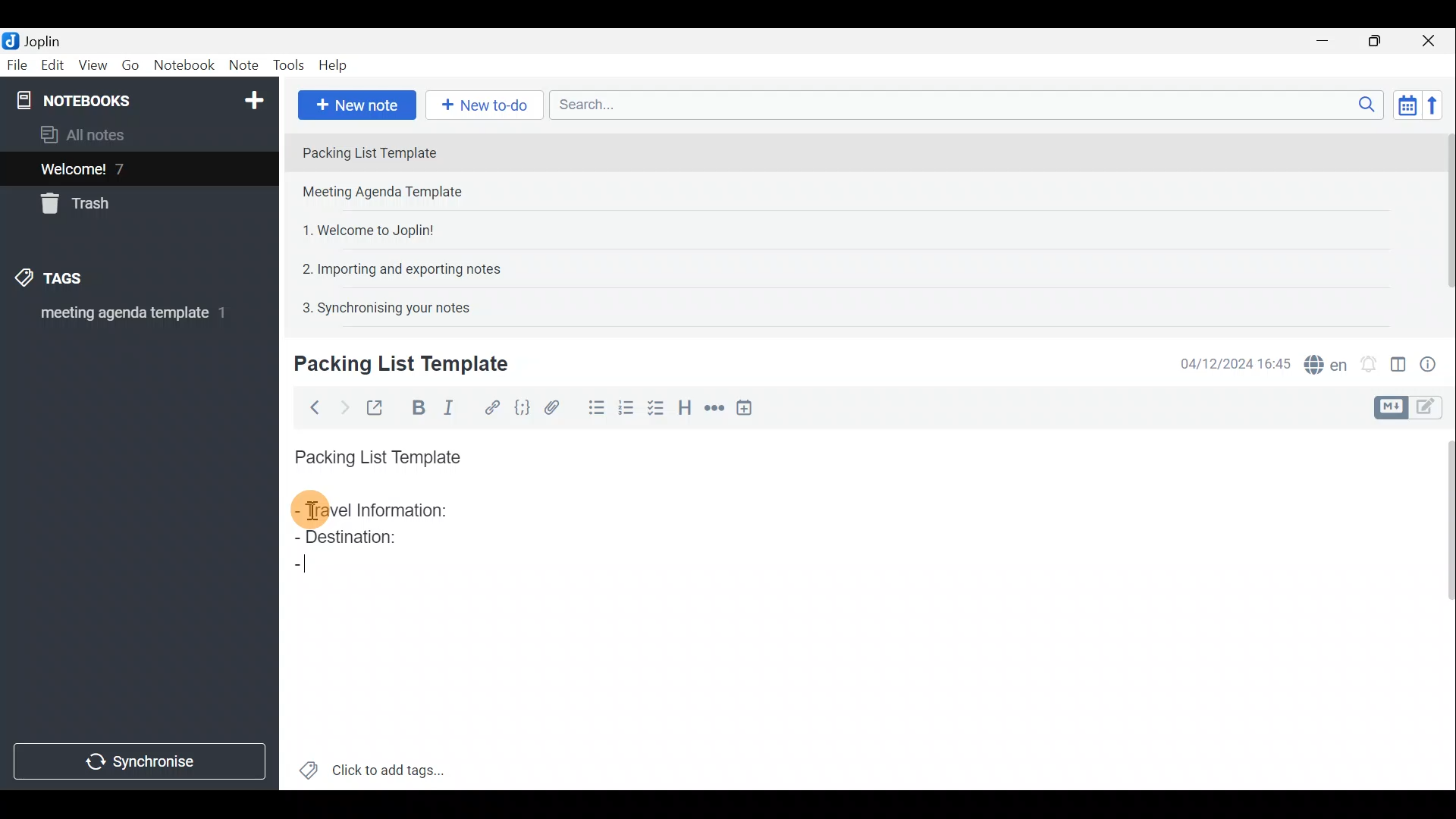  What do you see at coordinates (1442, 221) in the screenshot?
I see `Scroll bar` at bounding box center [1442, 221].